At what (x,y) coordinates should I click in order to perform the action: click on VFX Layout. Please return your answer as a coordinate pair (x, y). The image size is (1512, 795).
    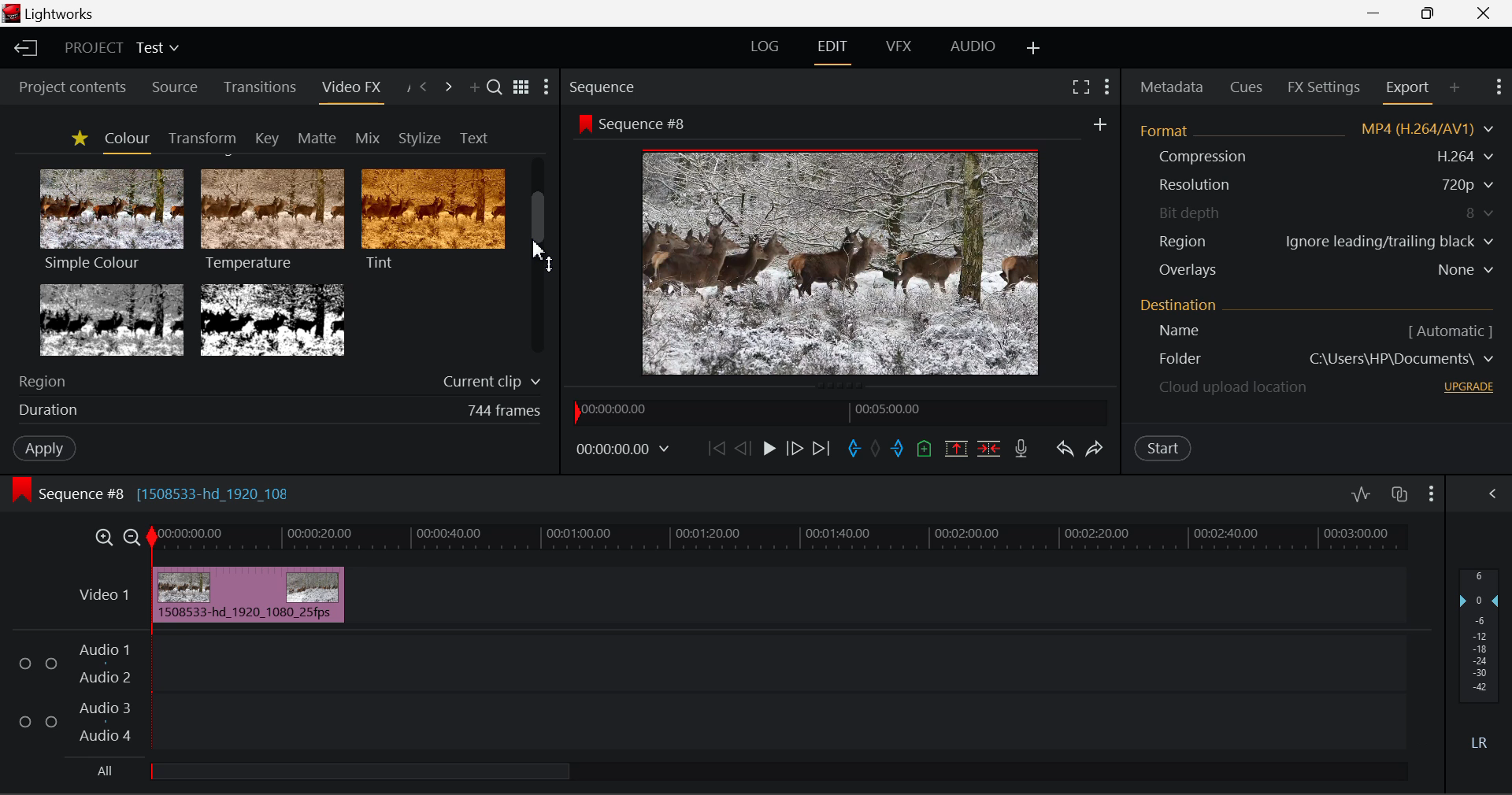
    Looking at the image, I should click on (897, 48).